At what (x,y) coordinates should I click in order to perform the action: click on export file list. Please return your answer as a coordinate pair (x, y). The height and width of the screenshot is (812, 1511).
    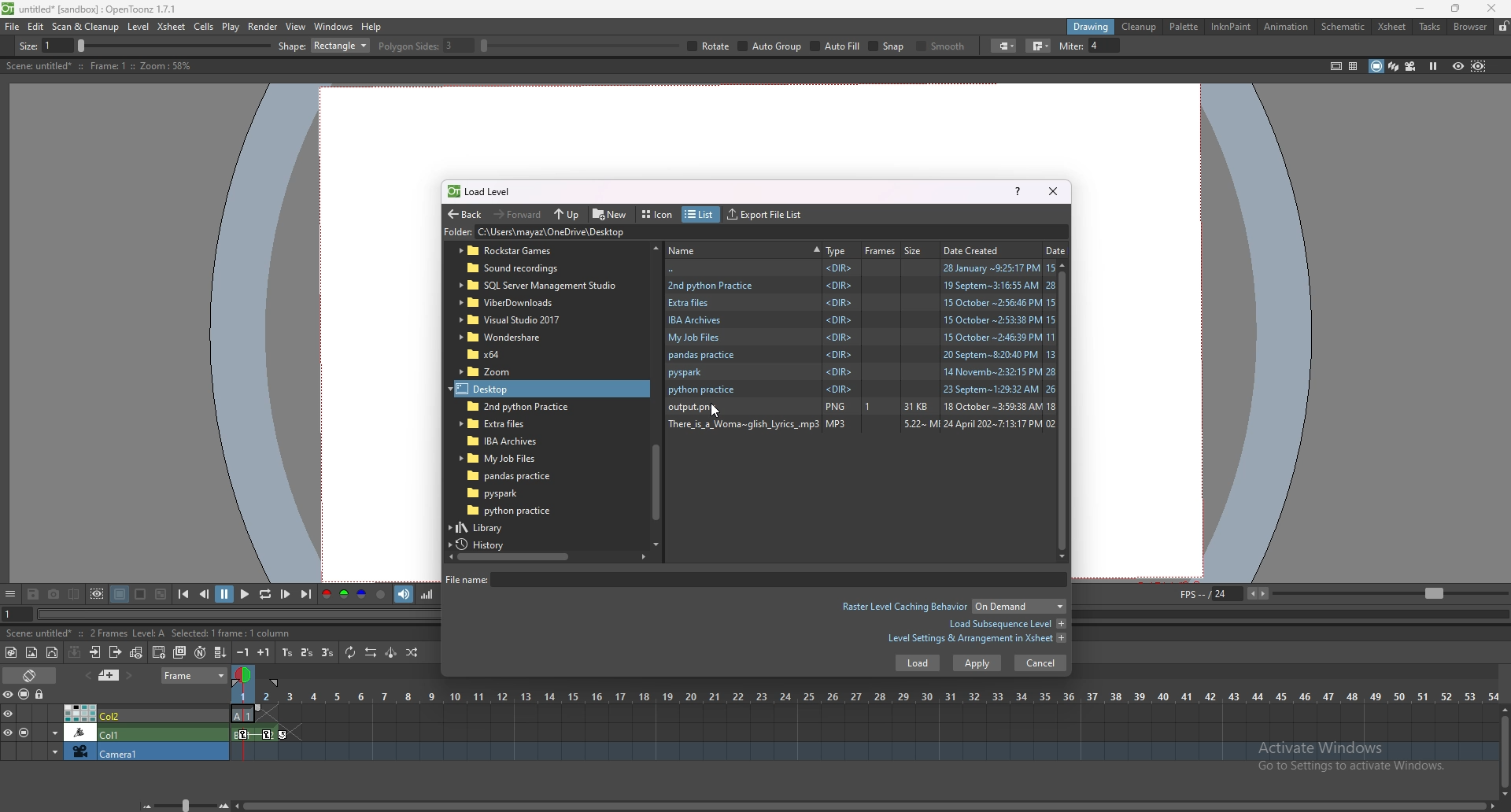
    Looking at the image, I should click on (764, 215).